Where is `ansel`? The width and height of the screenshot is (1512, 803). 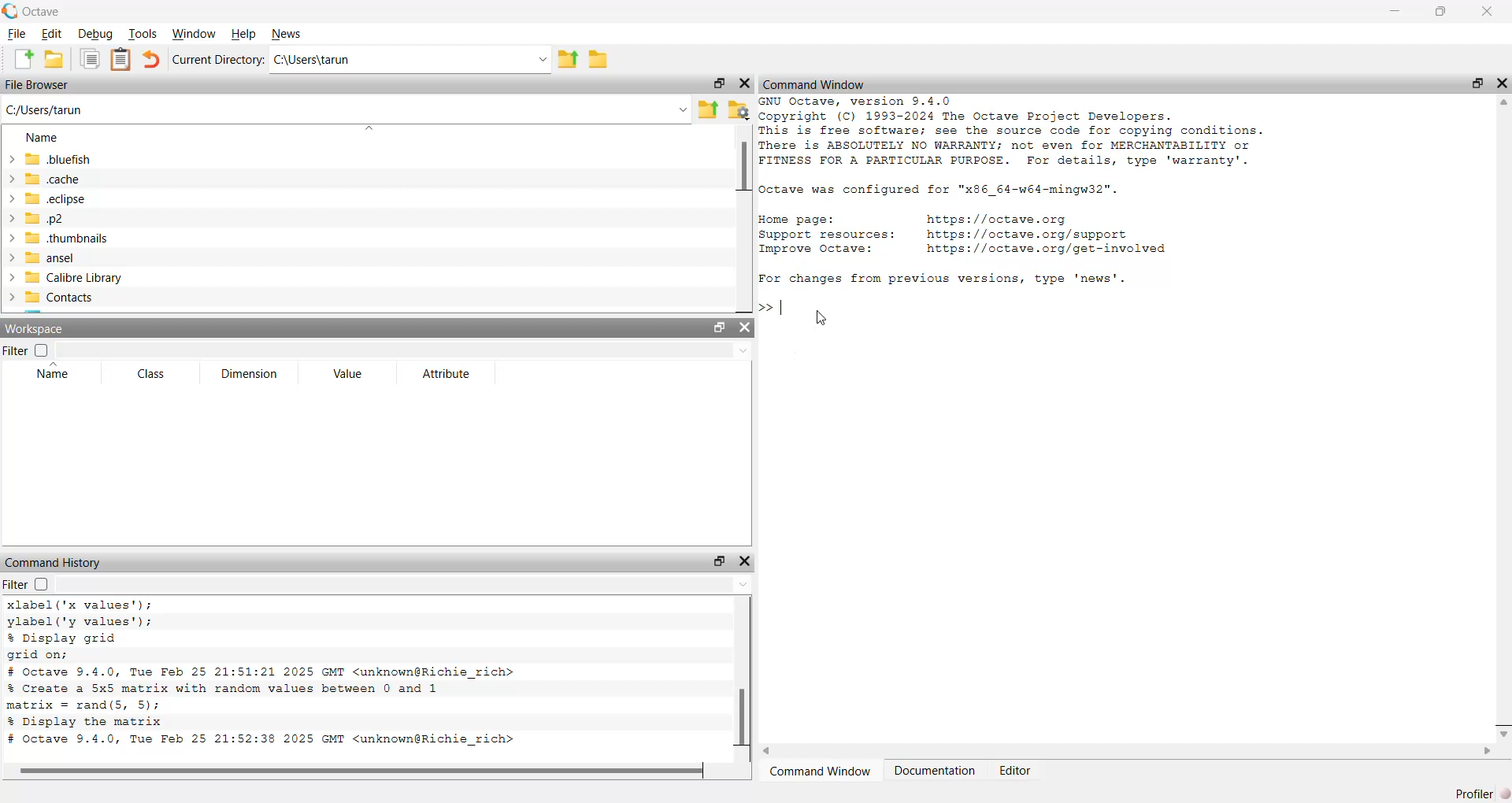
ansel is located at coordinates (55, 258).